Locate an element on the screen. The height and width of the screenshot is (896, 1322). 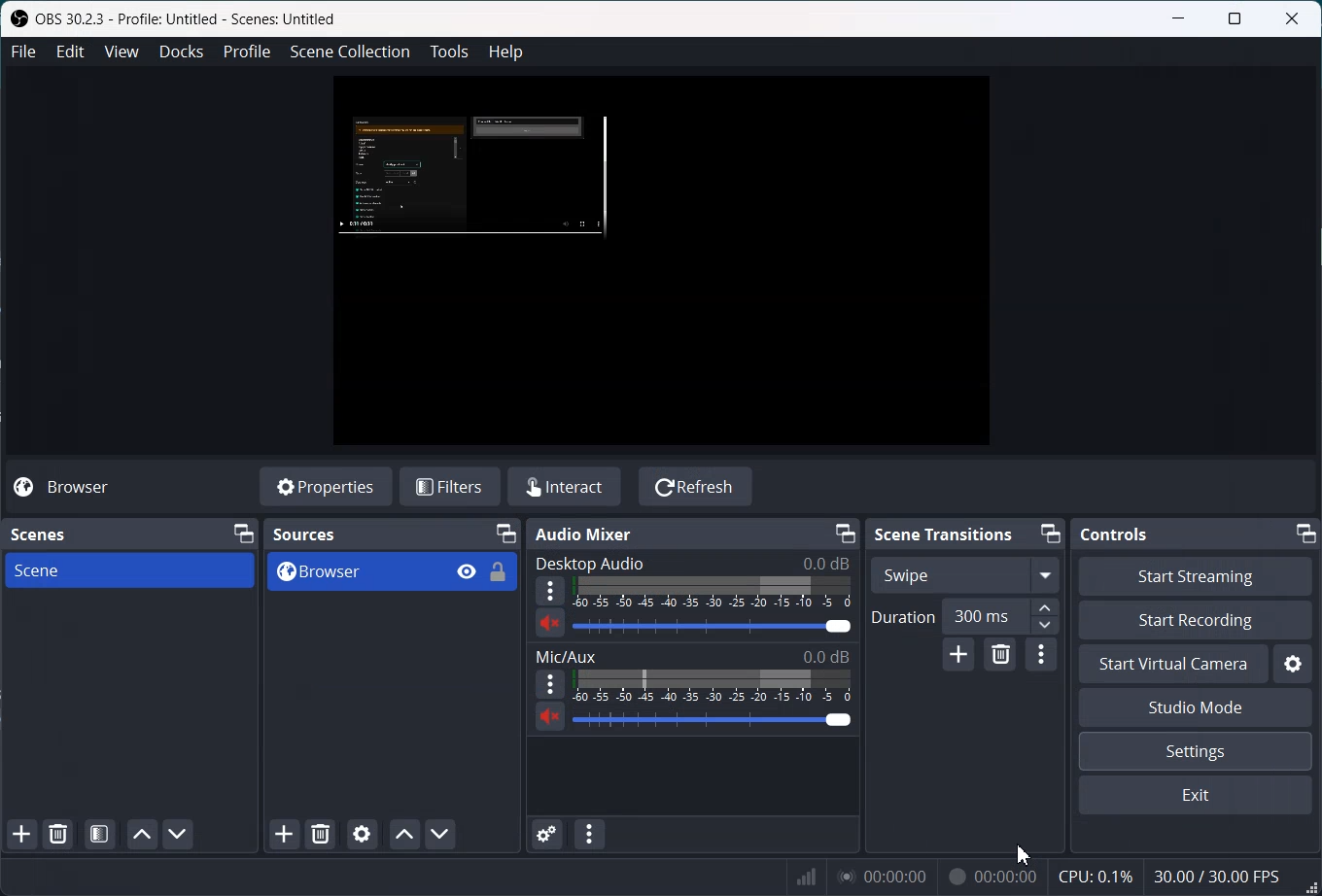
Scene  is located at coordinates (129, 570).